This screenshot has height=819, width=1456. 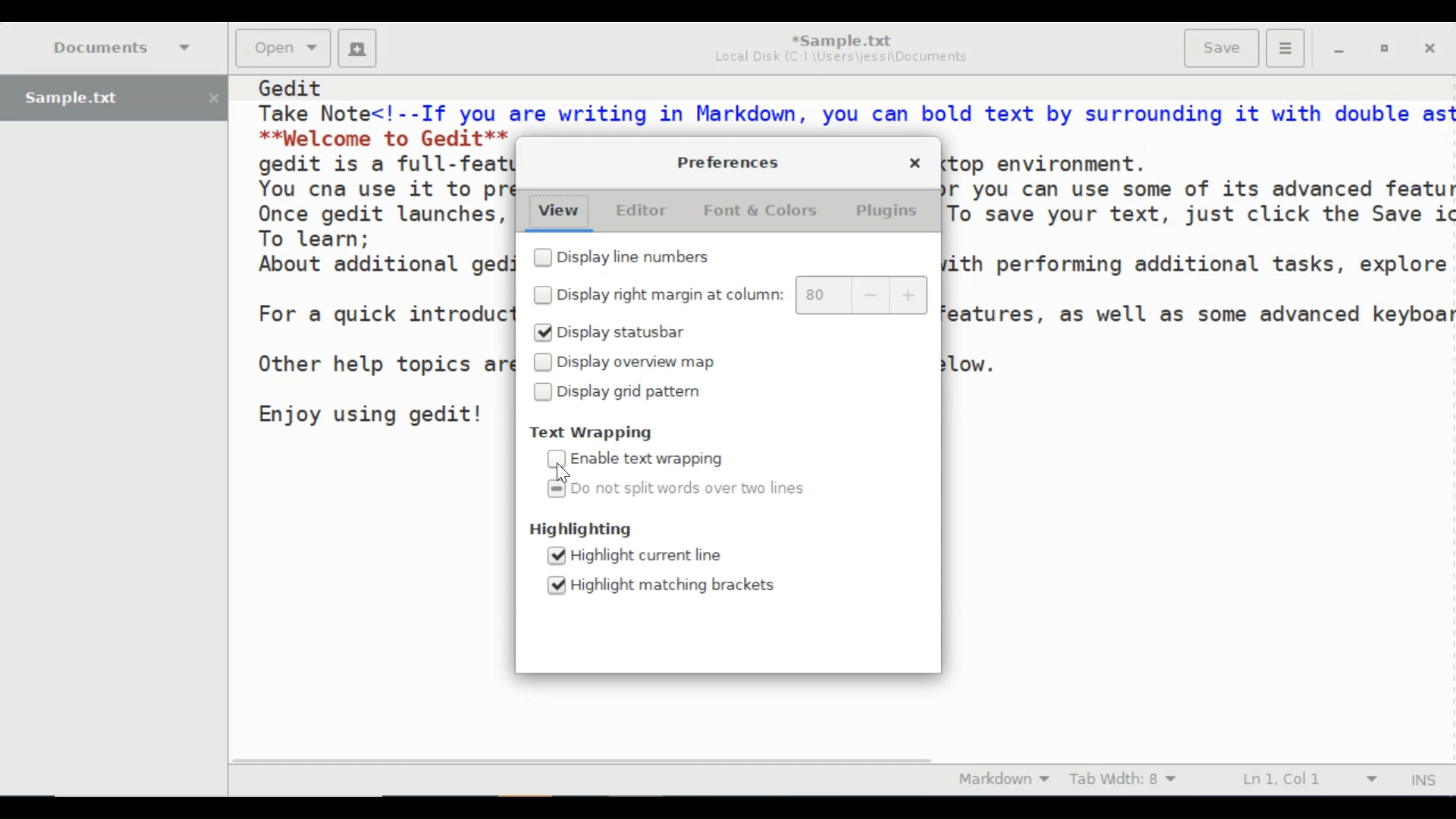 What do you see at coordinates (686, 491) in the screenshot?
I see `(un)select Do not split words over two lines` at bounding box center [686, 491].